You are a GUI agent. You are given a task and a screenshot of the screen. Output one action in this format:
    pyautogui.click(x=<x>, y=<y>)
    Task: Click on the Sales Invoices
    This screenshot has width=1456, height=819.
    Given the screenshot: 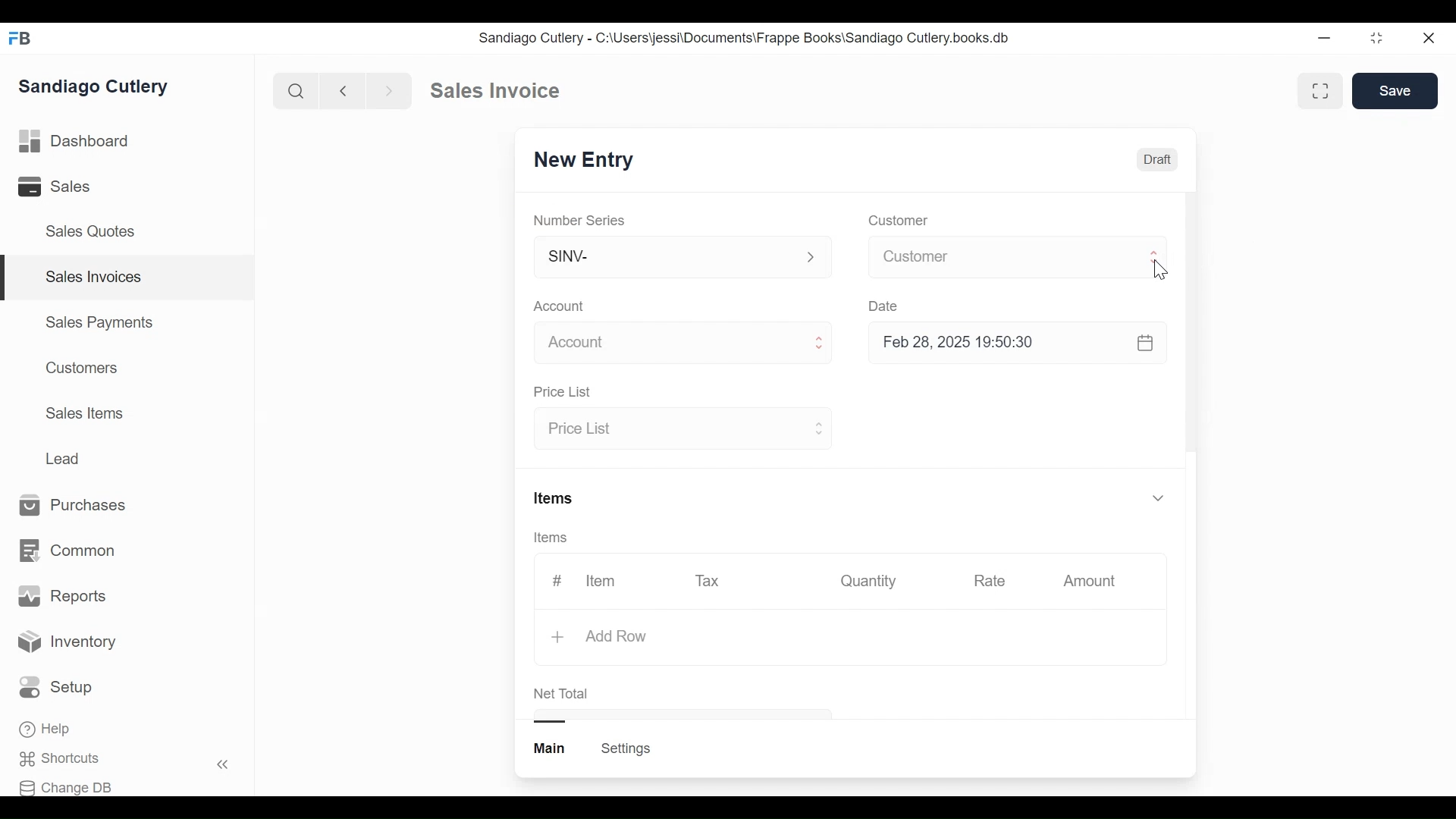 What is the action you would take?
    pyautogui.click(x=94, y=278)
    